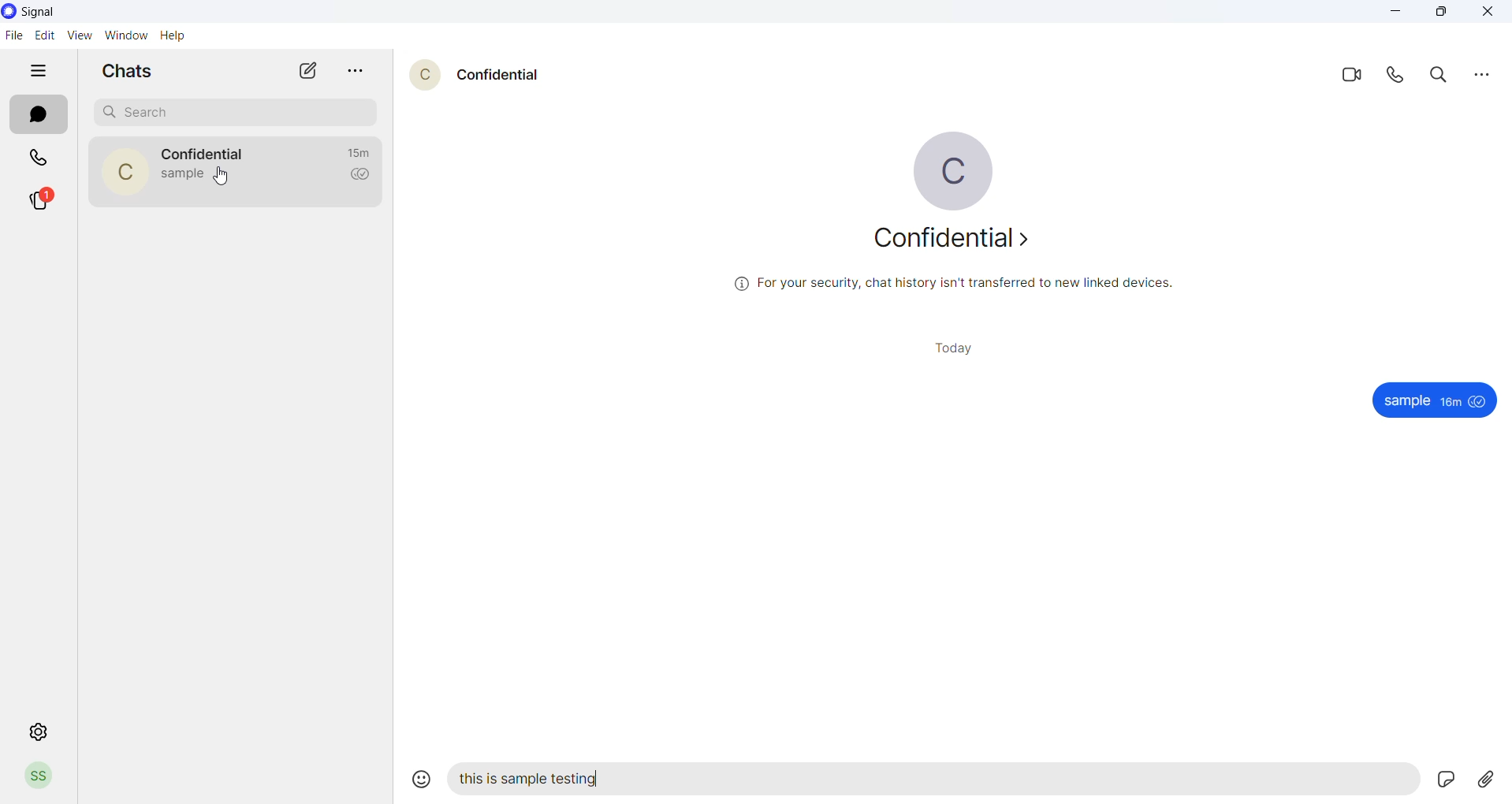 The height and width of the screenshot is (804, 1512). What do you see at coordinates (32, 155) in the screenshot?
I see `call` at bounding box center [32, 155].